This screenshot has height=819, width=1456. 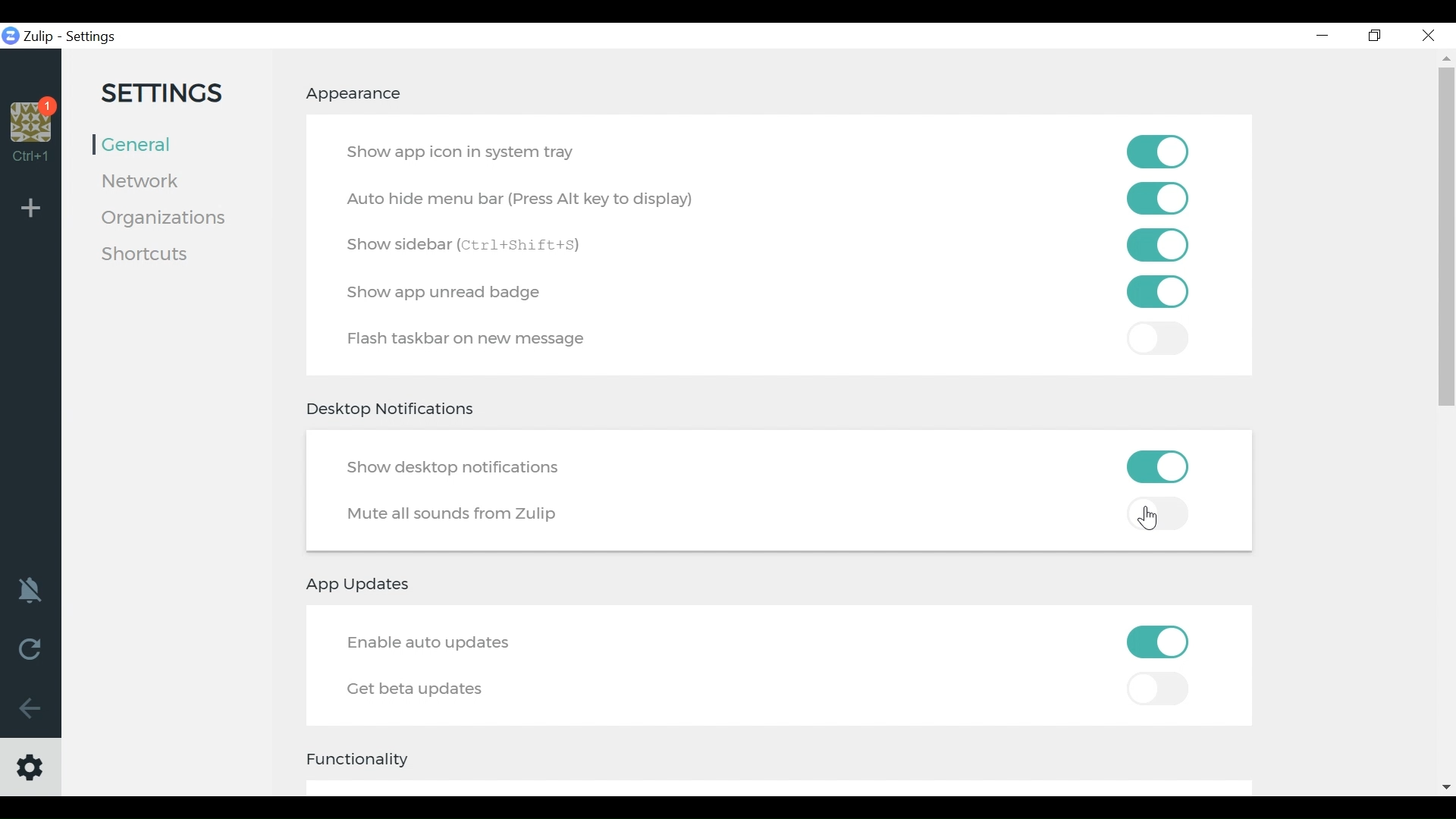 I want to click on Settings, so click(x=93, y=37).